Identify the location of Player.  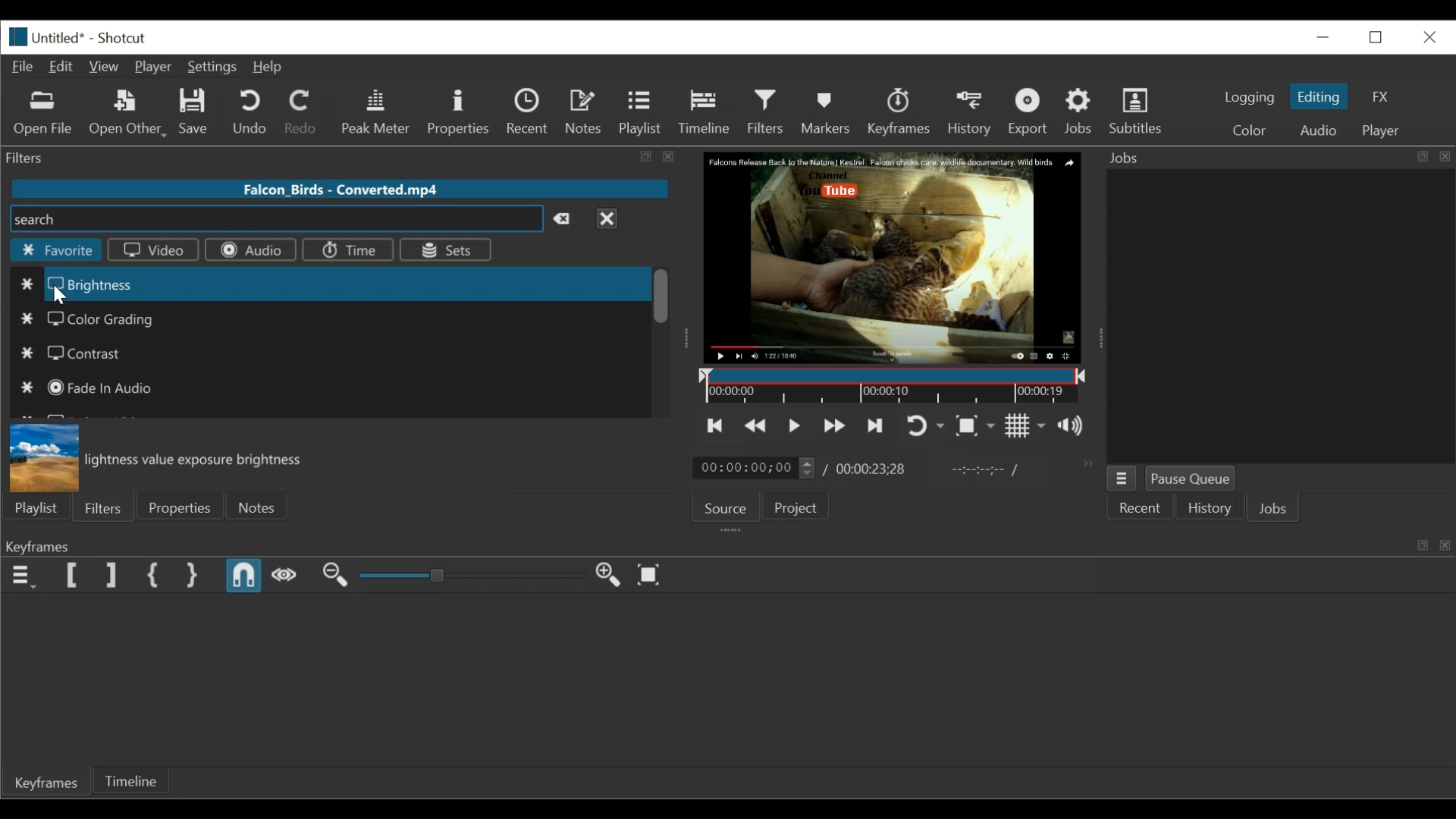
(153, 67).